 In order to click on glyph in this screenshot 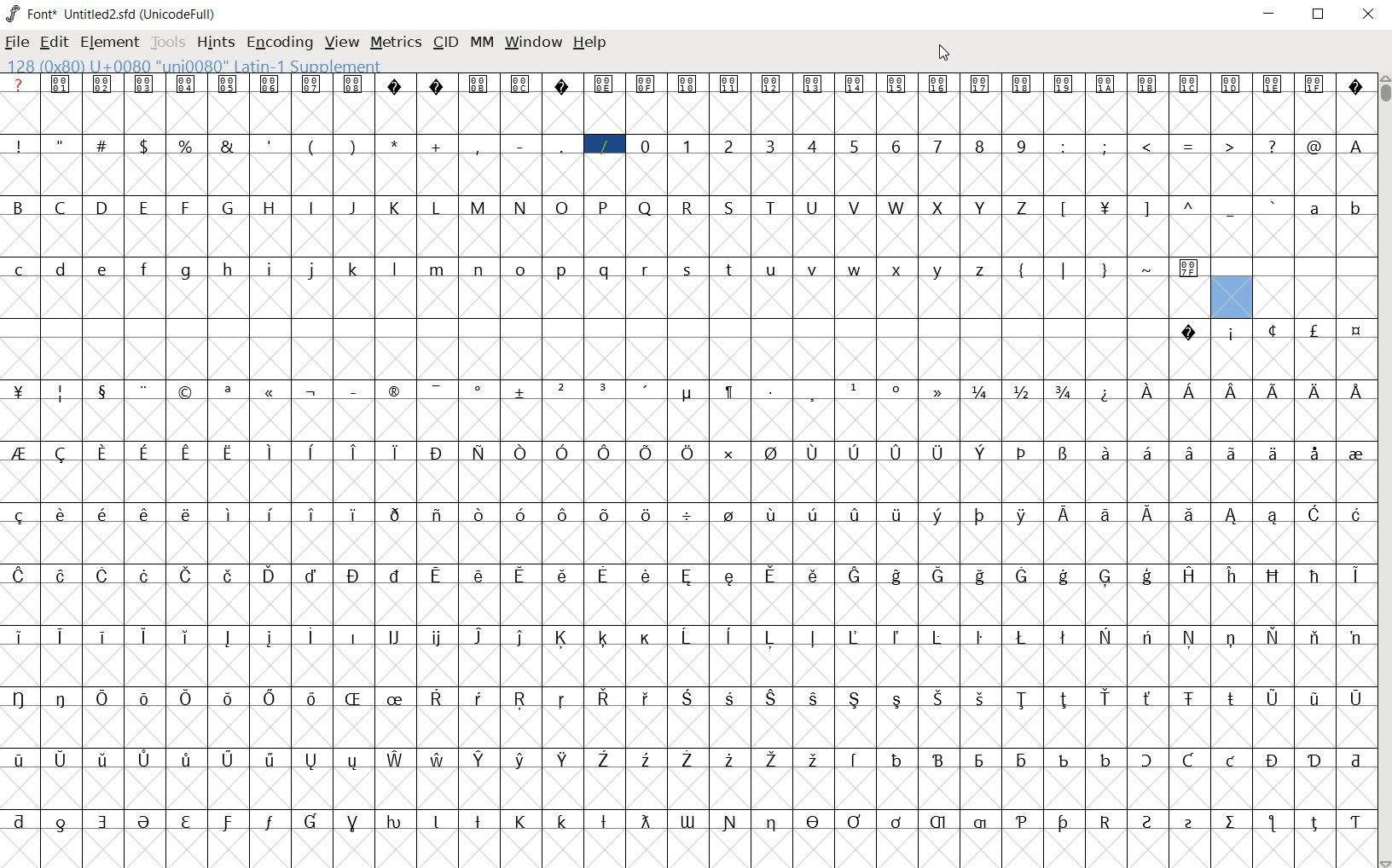, I will do `click(145, 391)`.